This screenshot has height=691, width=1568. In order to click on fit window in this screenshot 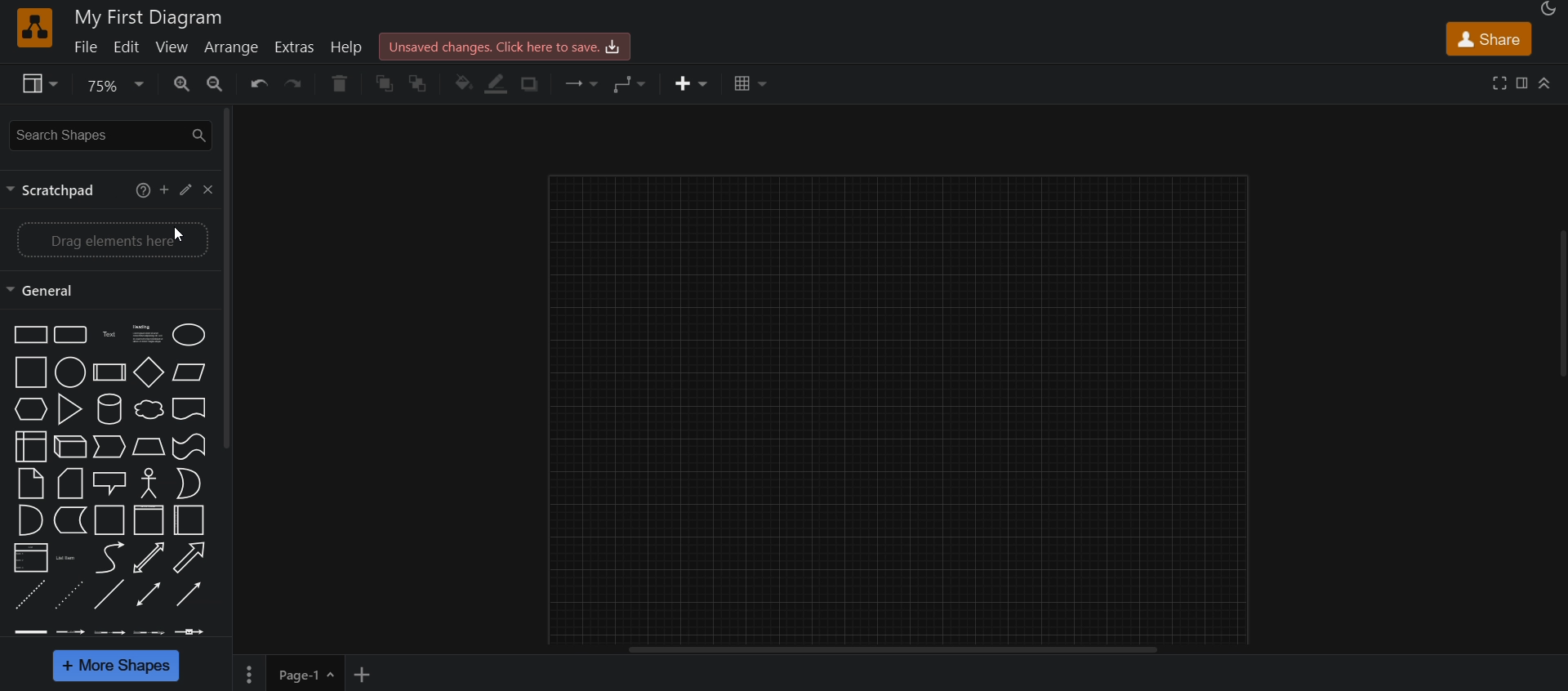, I will do `click(149, 483)`.